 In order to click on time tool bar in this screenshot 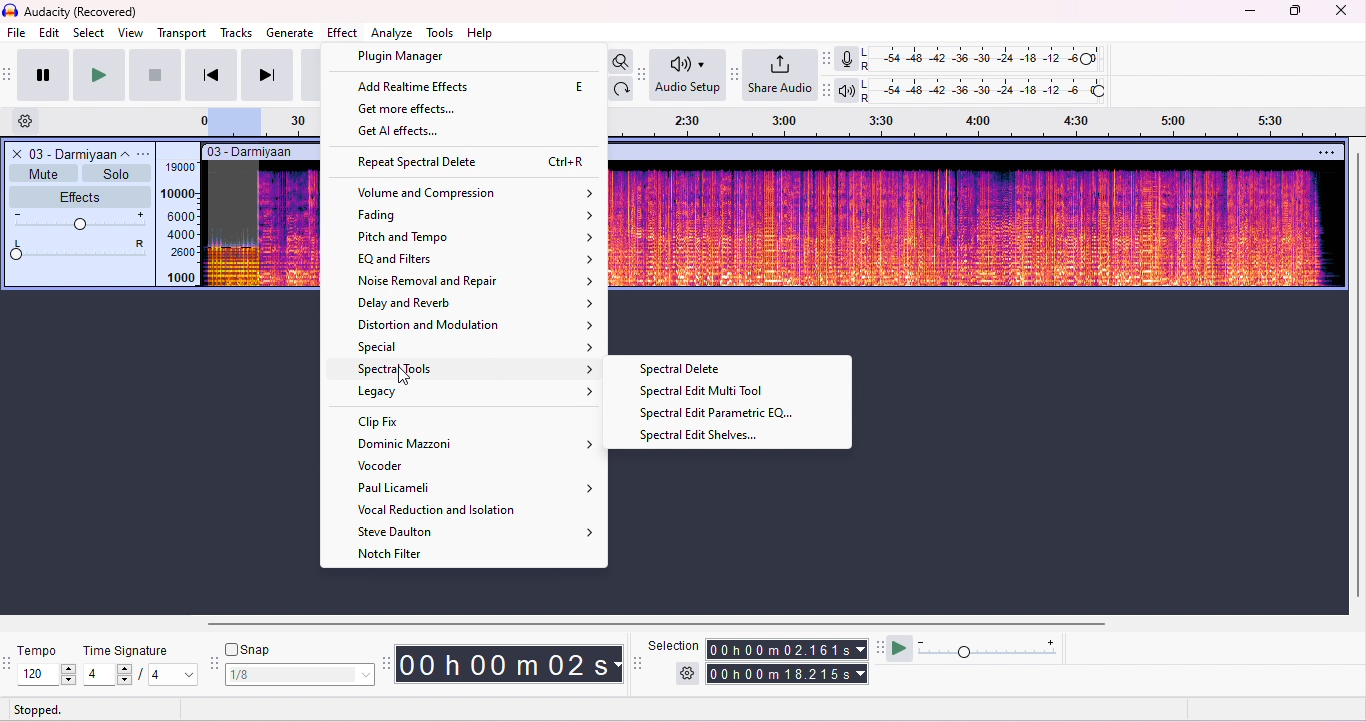, I will do `click(389, 663)`.